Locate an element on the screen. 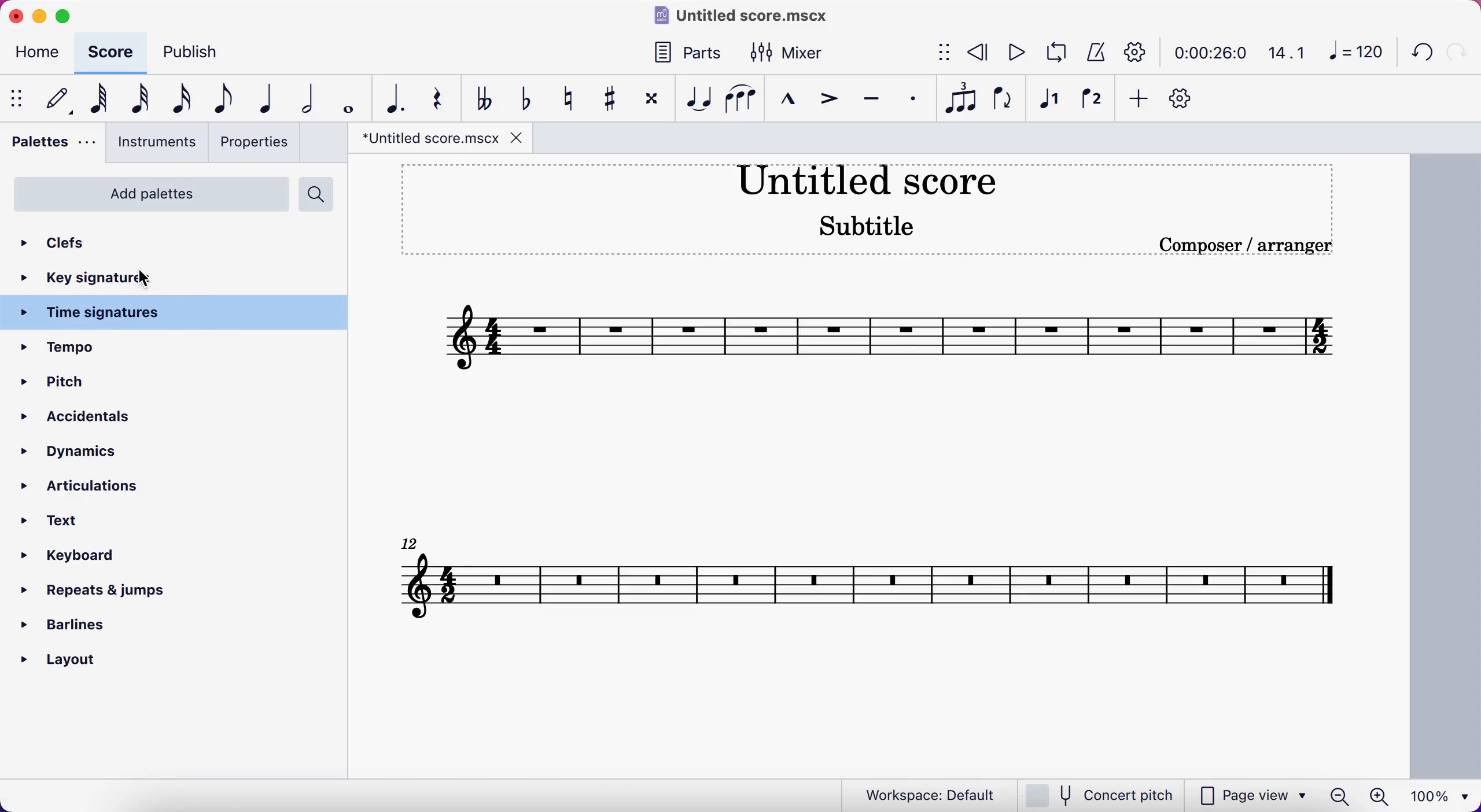  tuplet is located at coordinates (963, 98).